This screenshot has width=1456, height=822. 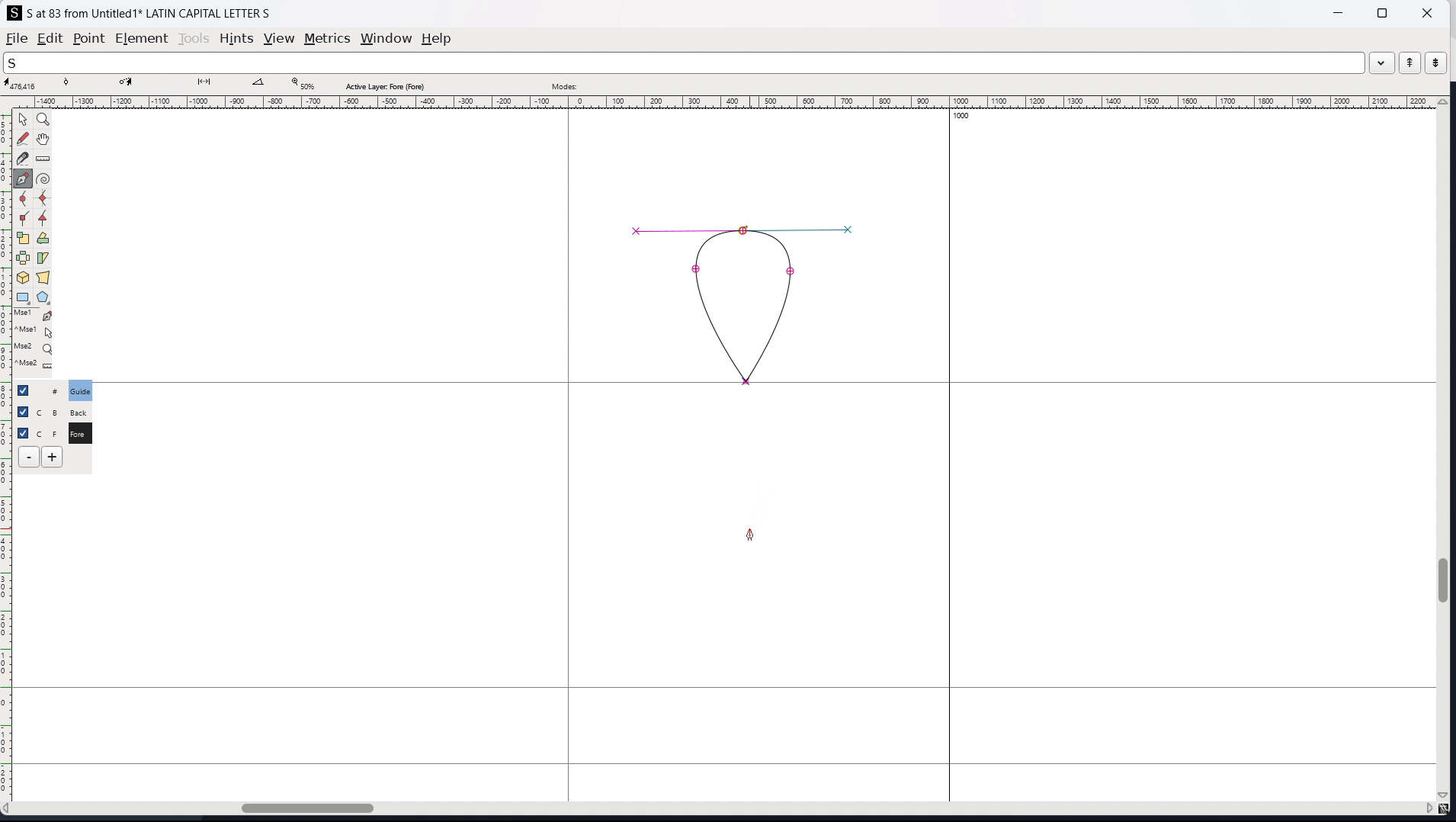 I want to click on next word in the wordlist, so click(x=1435, y=62).